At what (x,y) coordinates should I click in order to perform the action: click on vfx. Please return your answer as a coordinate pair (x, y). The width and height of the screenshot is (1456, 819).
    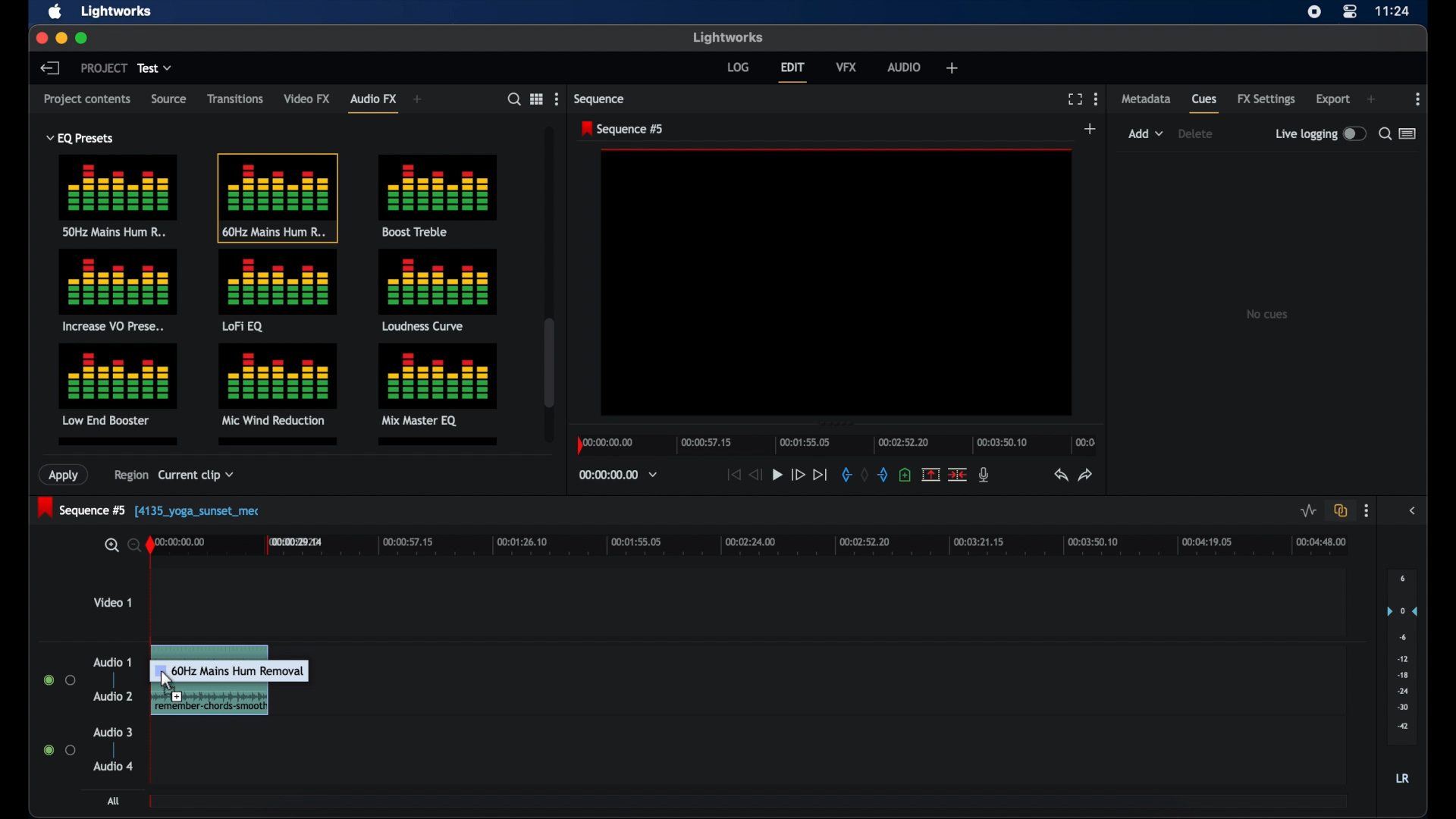
    Looking at the image, I should click on (846, 67).